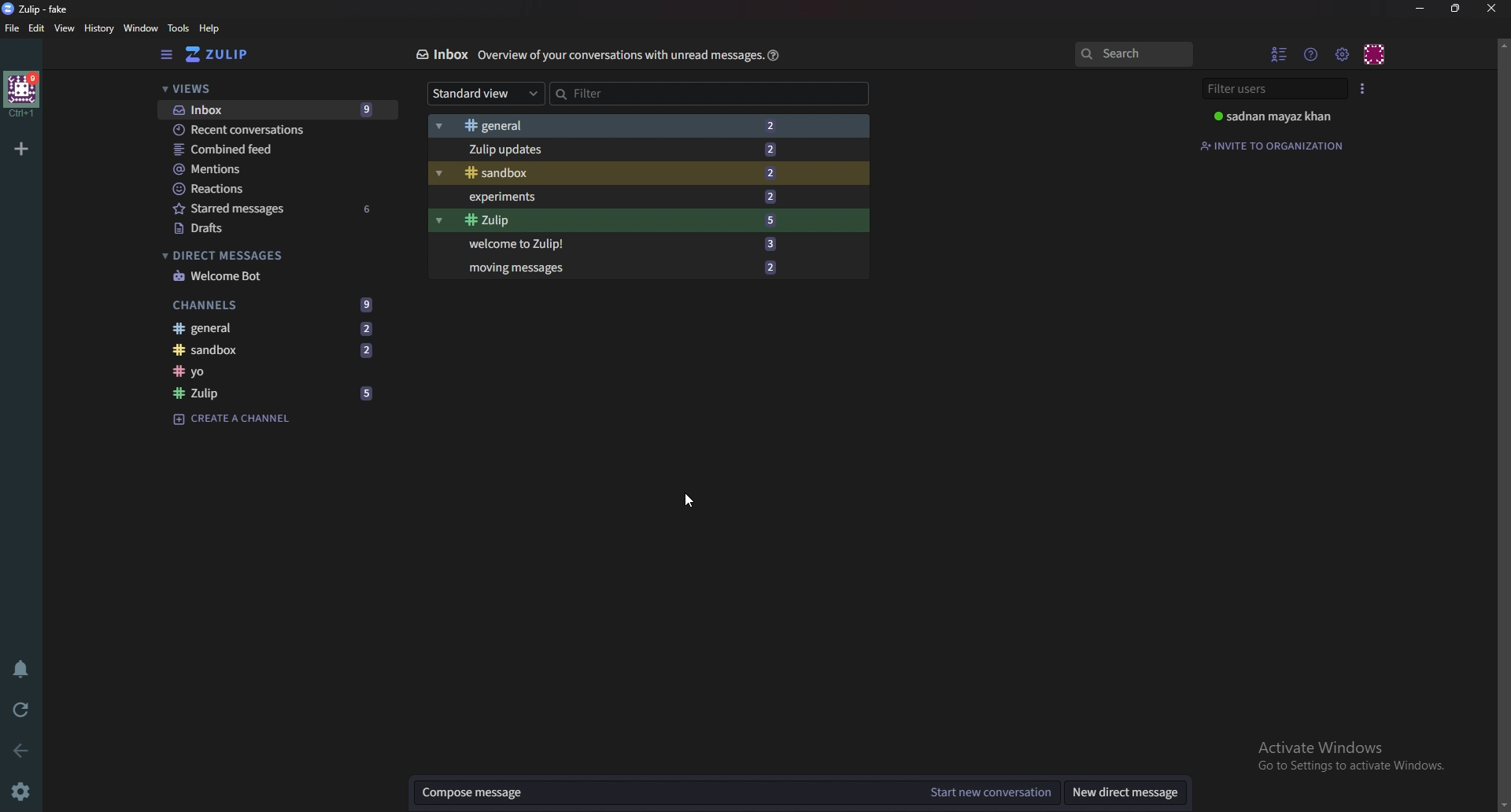  Describe the element at coordinates (582, 54) in the screenshot. I see `& Inbox Overview of your conversations with unread message:` at that location.